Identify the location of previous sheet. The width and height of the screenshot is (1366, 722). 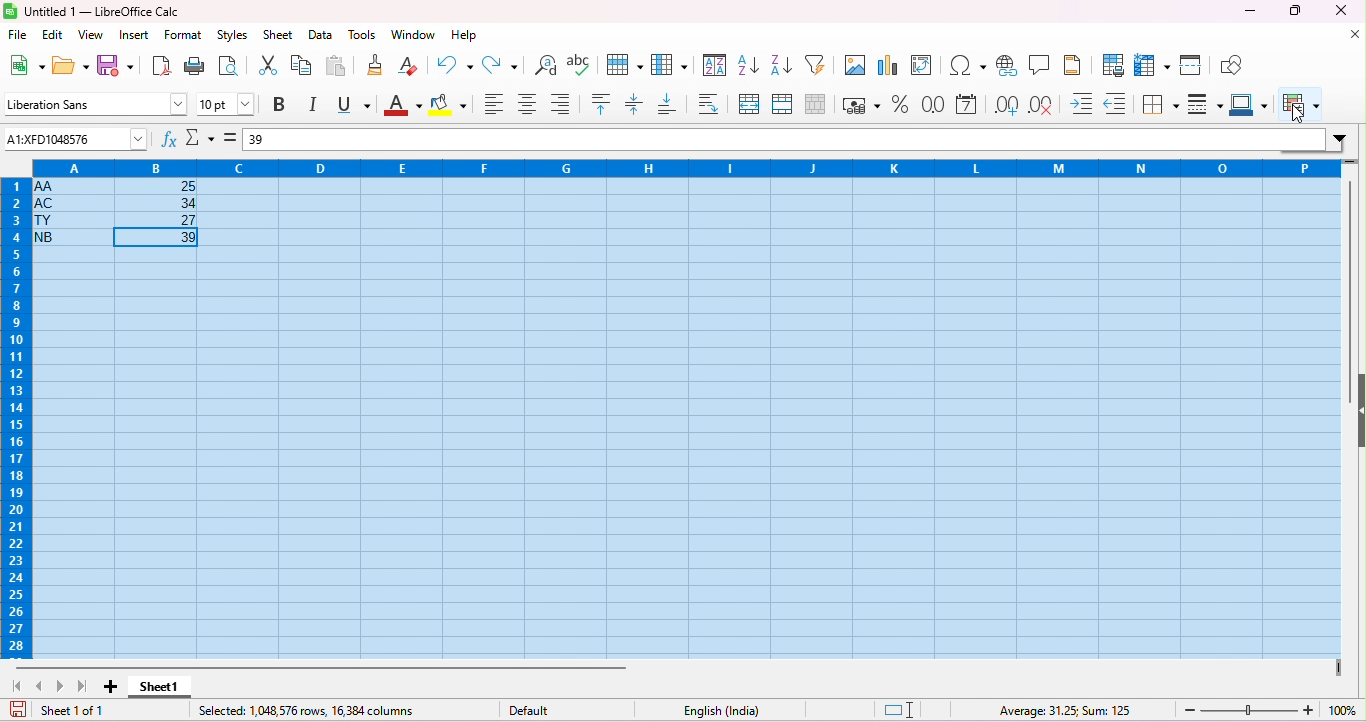
(41, 686).